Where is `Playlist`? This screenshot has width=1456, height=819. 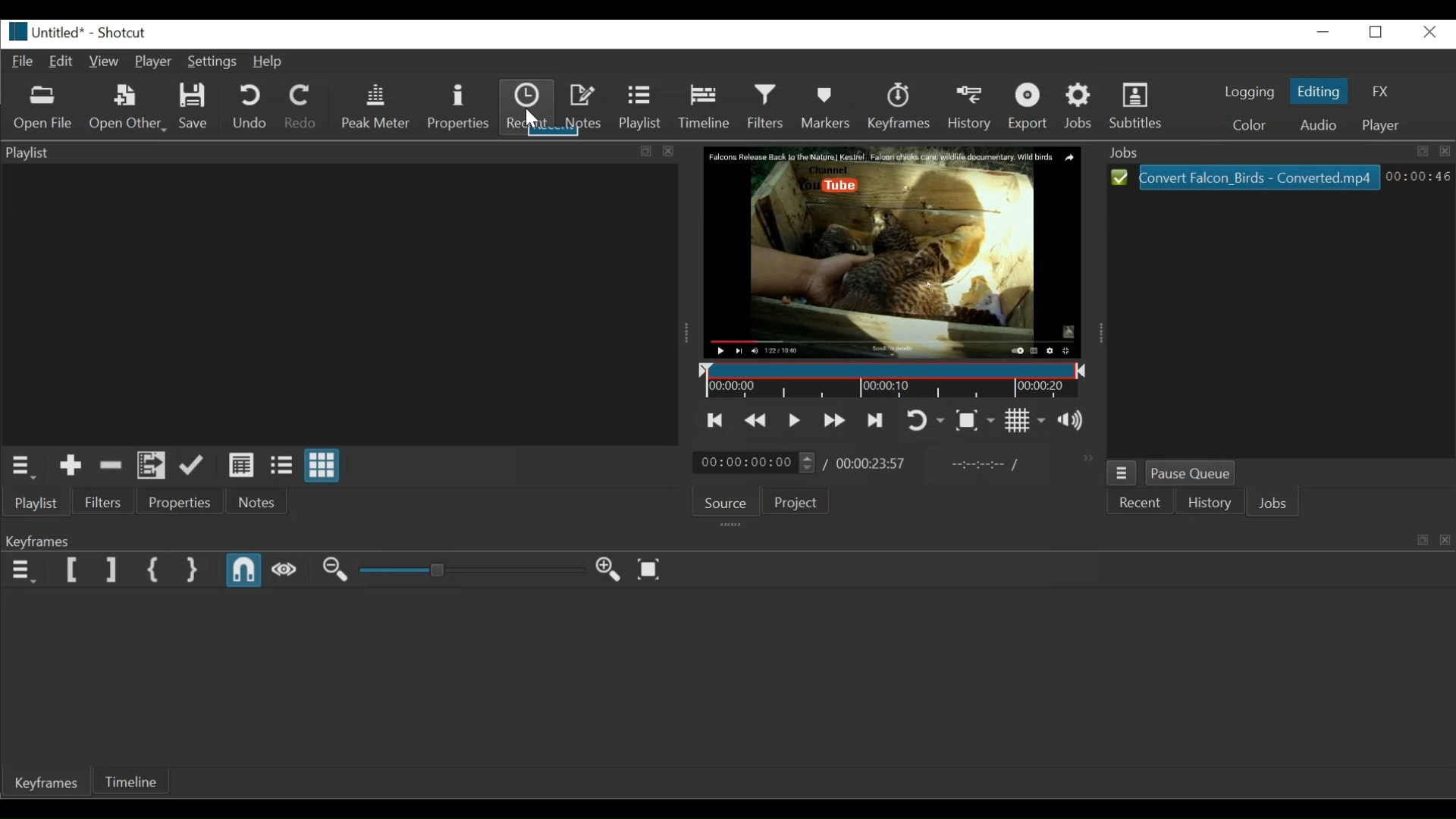
Playlist is located at coordinates (35, 504).